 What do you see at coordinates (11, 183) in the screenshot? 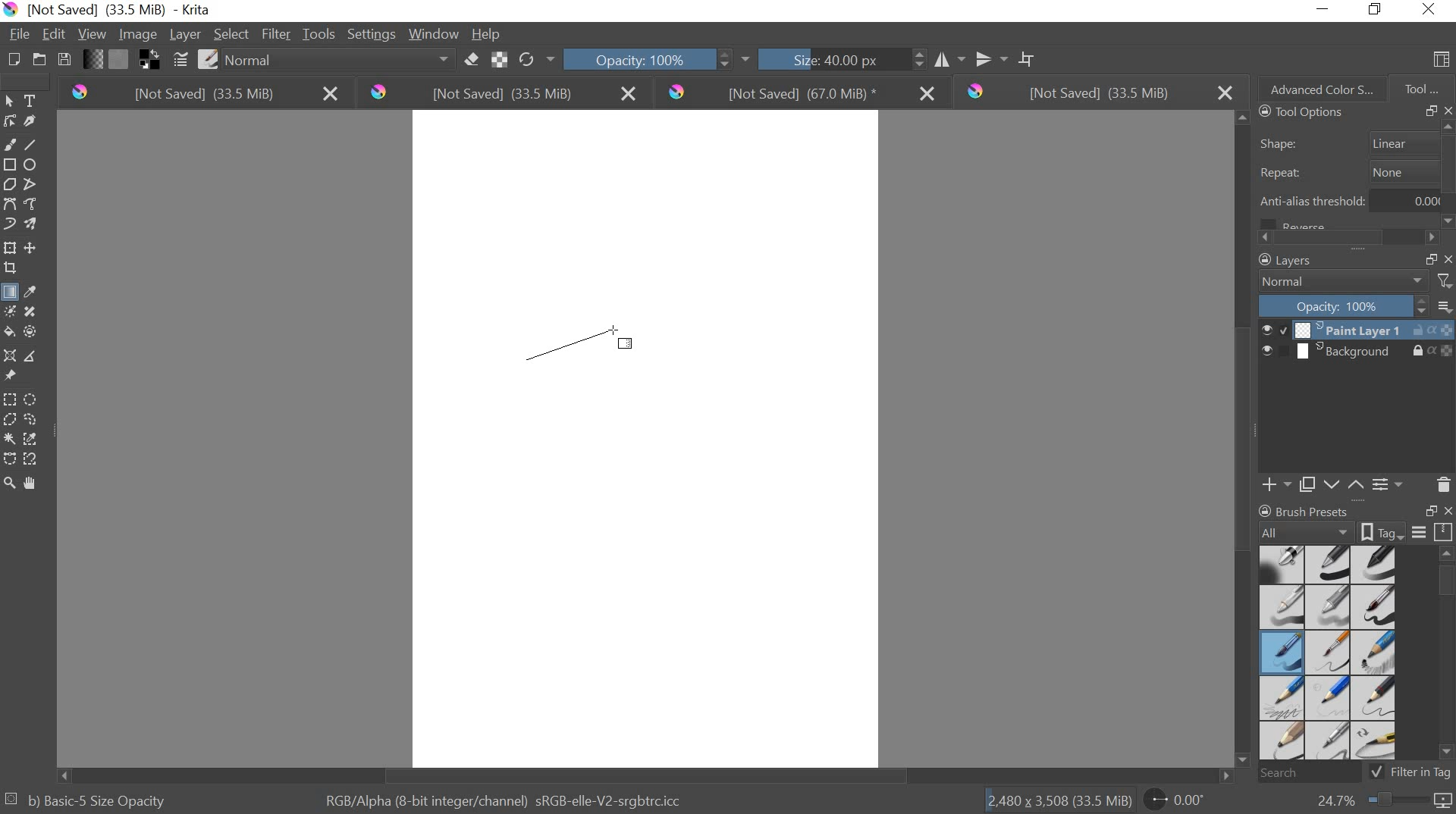
I see `polygon` at bounding box center [11, 183].